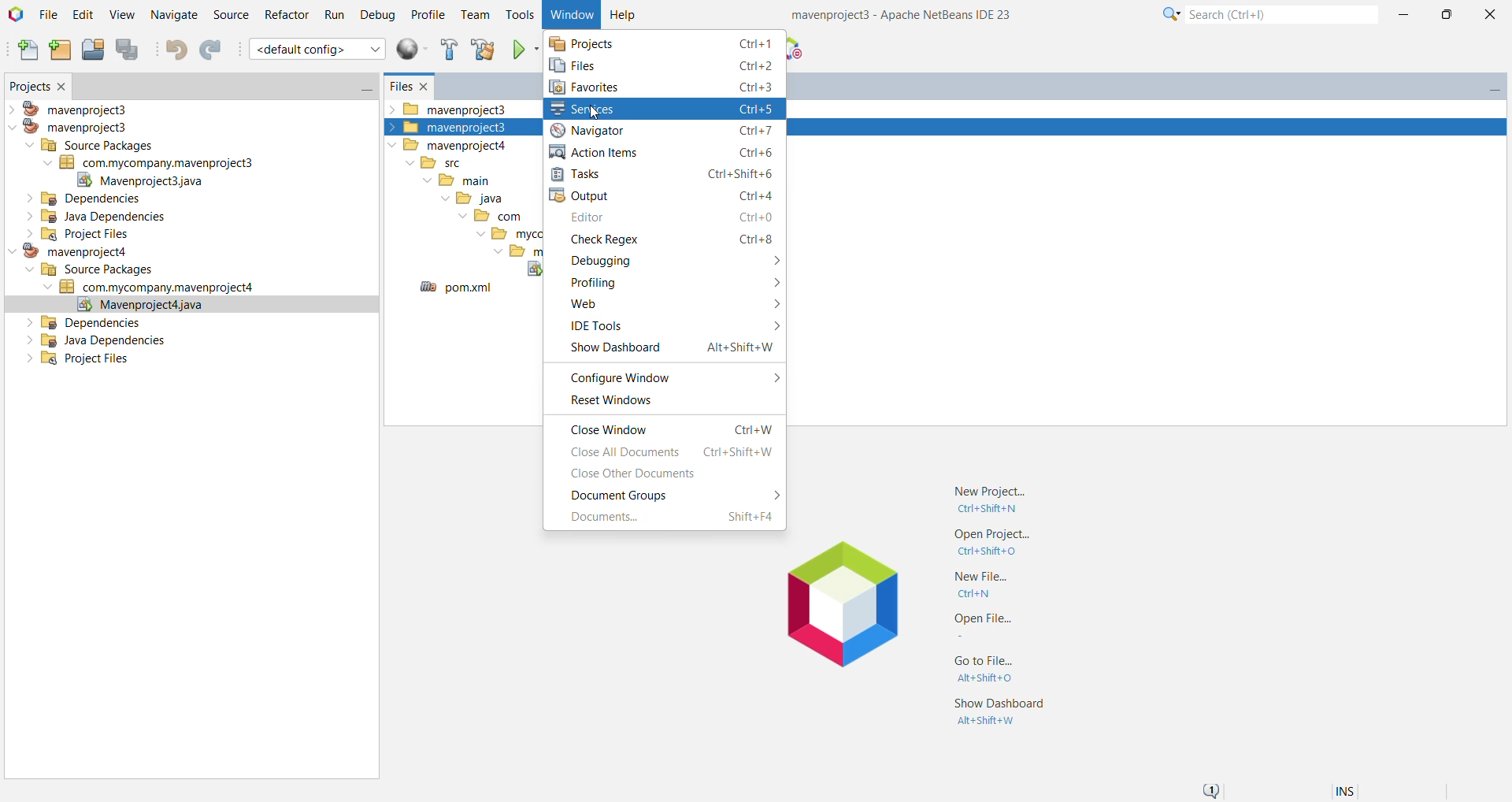  I want to click on Reset Windows, so click(610, 402).